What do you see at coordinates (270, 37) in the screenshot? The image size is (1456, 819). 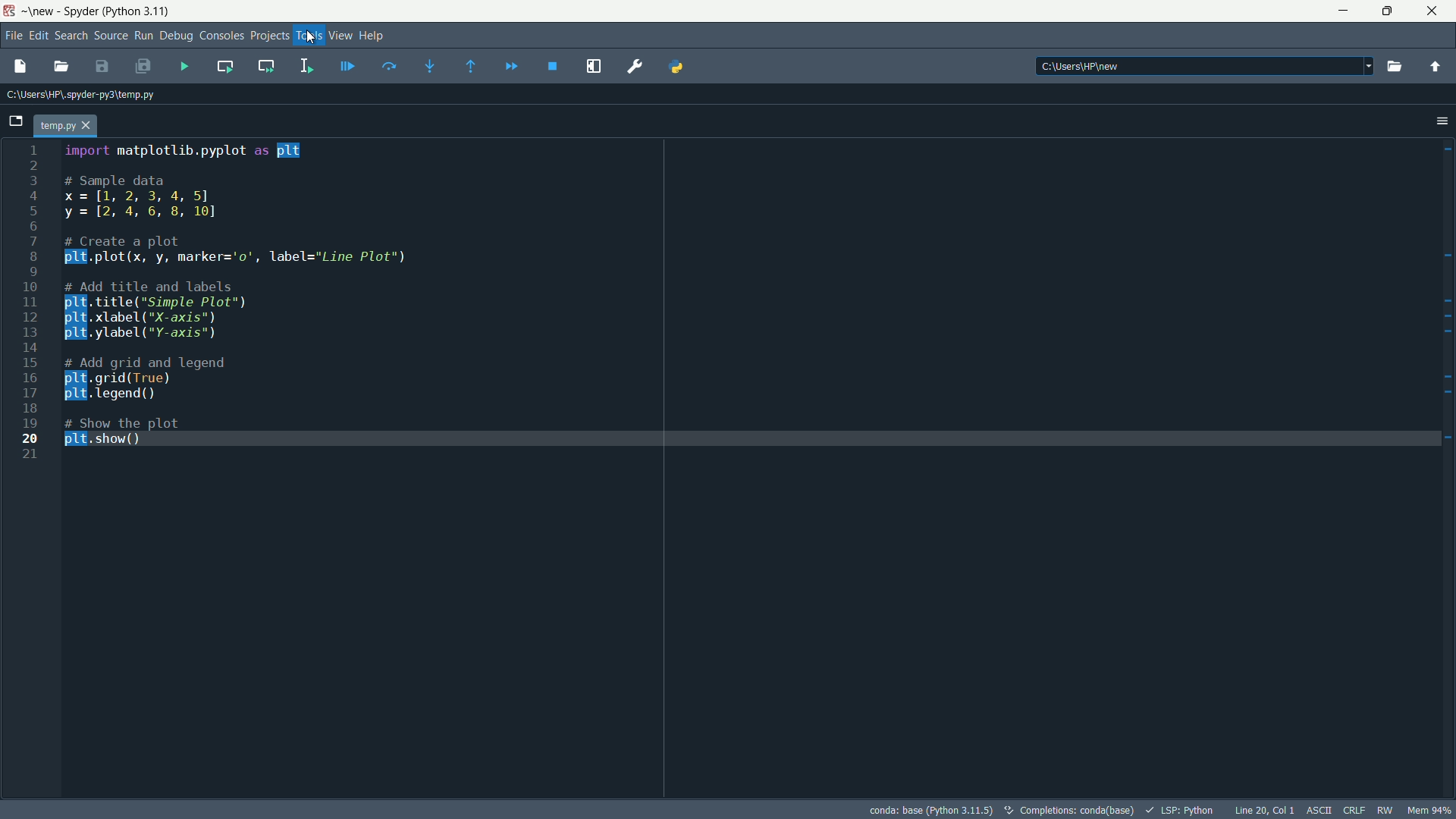 I see `projects` at bounding box center [270, 37].